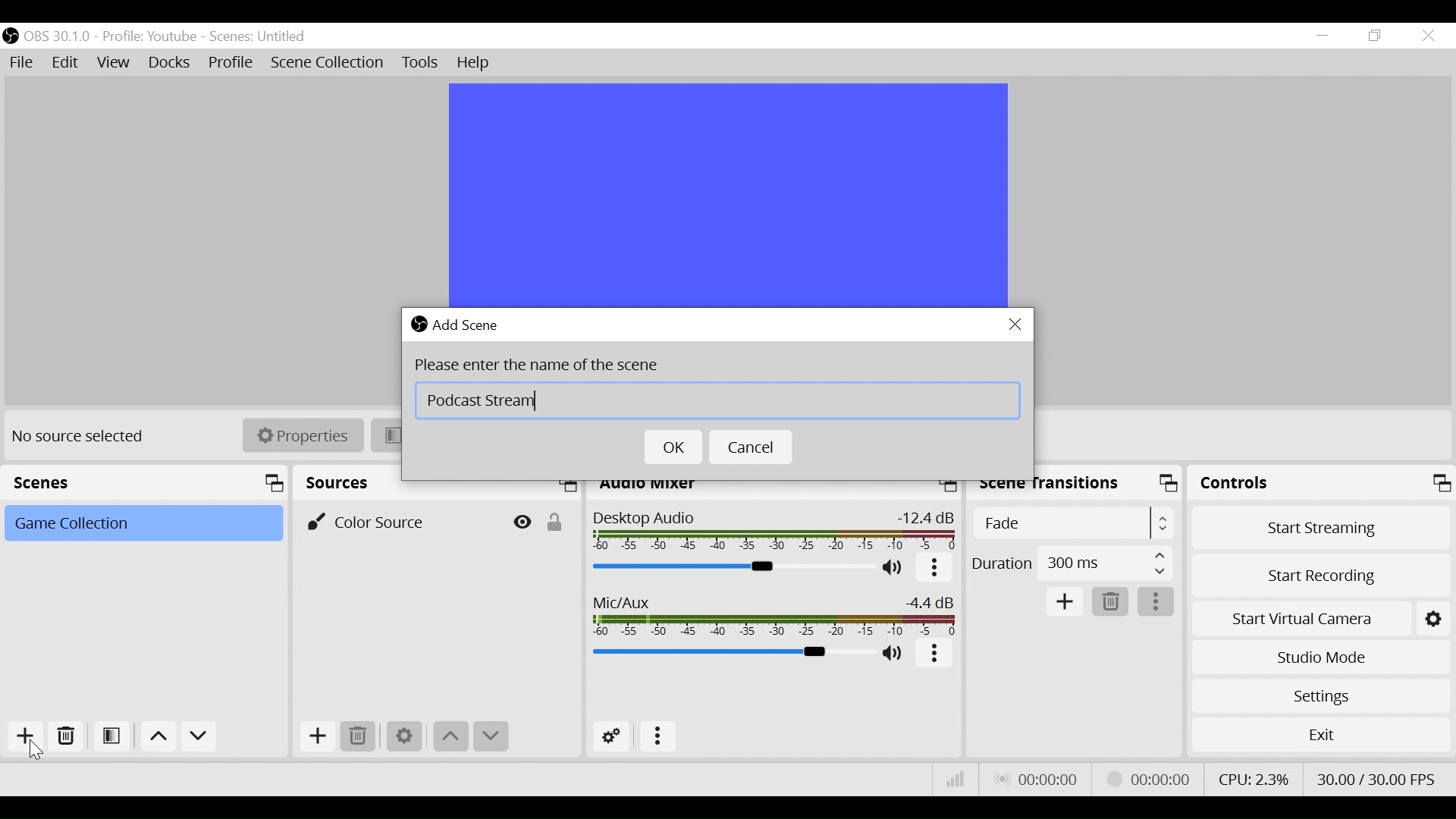  I want to click on Help, so click(475, 63).